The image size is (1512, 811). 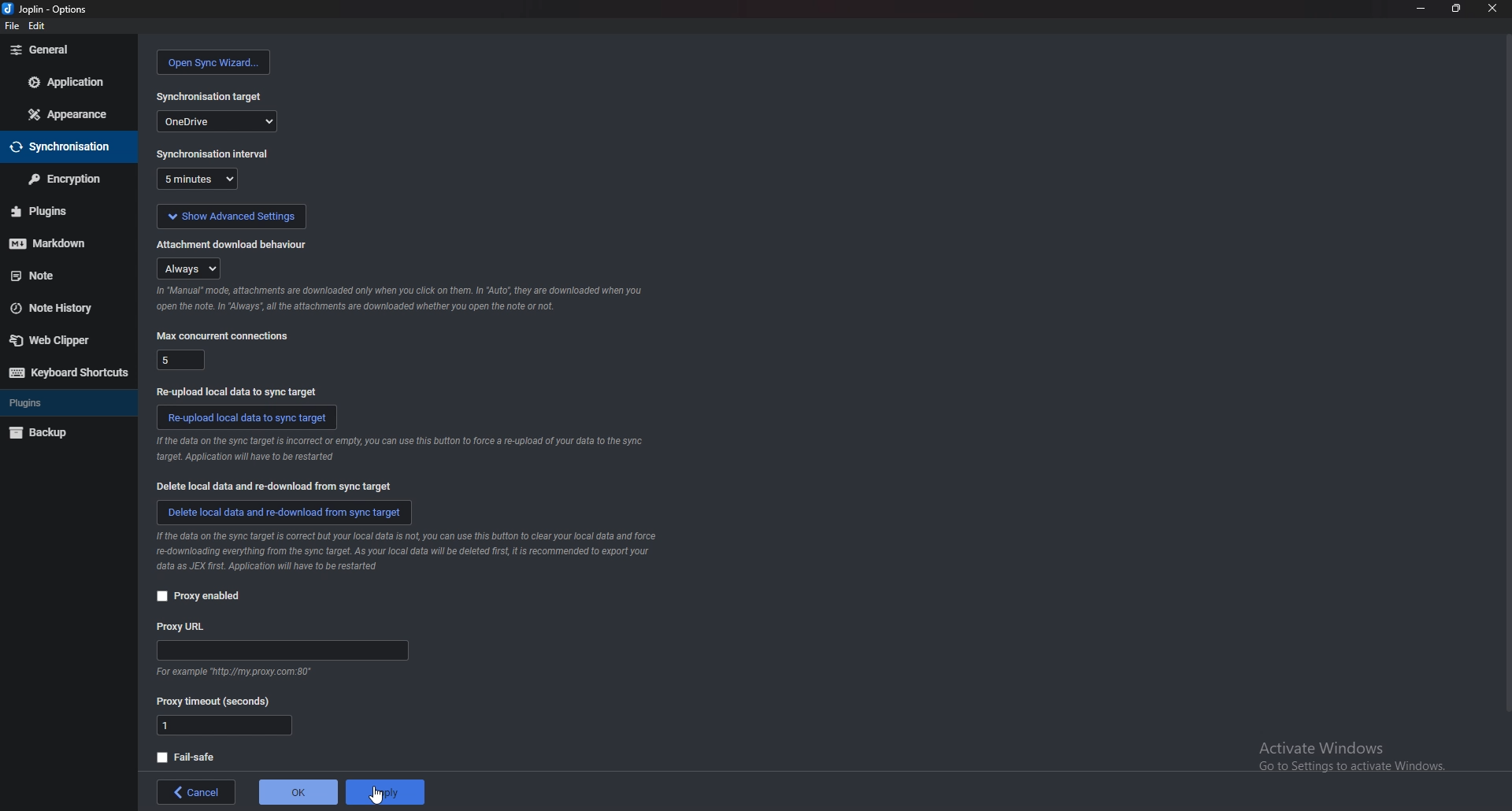 I want to click on edit, so click(x=39, y=26).